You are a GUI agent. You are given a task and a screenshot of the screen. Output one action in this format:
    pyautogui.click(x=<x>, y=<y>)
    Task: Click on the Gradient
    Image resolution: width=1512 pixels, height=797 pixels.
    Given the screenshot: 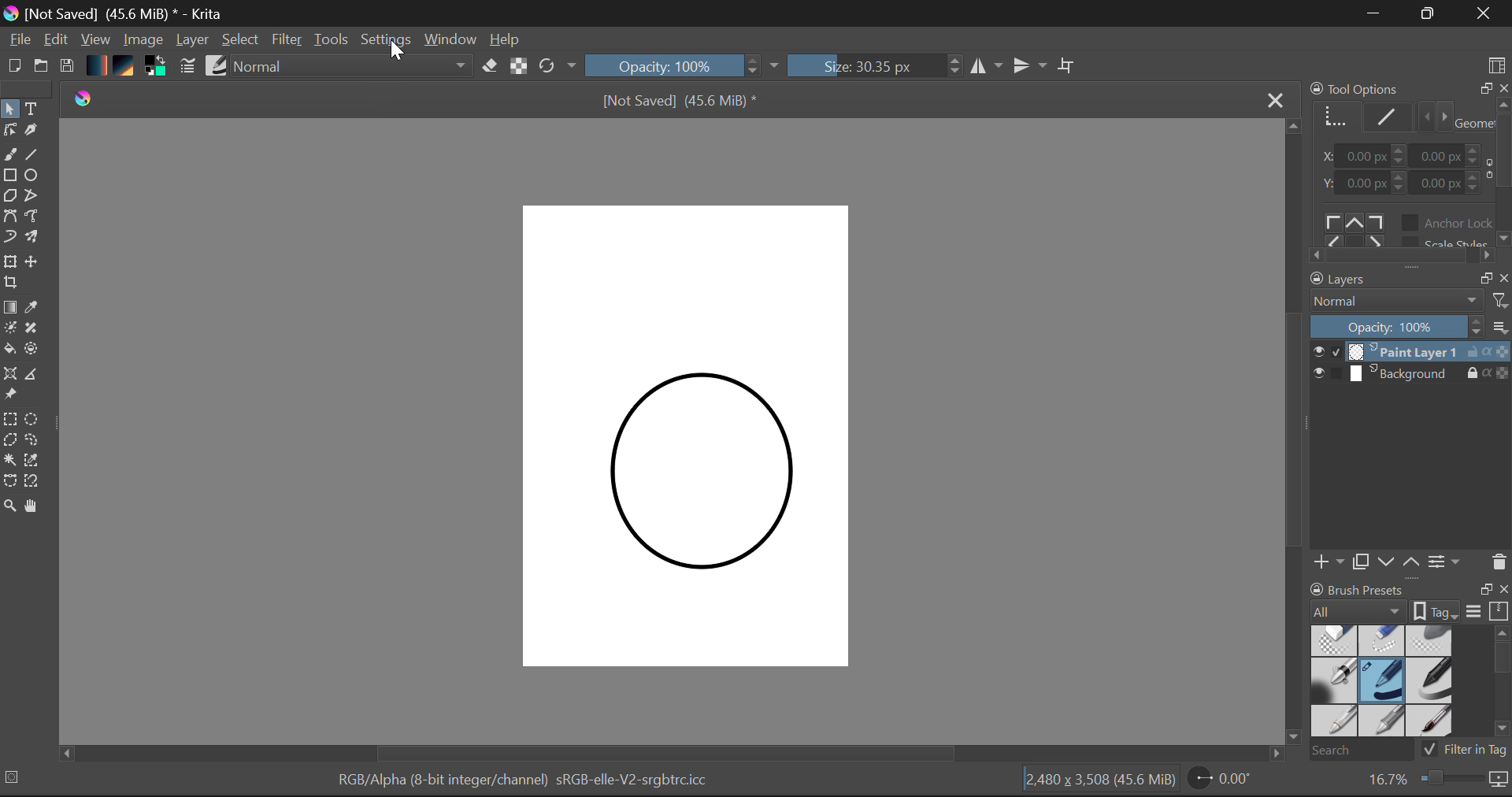 What is the action you would take?
    pyautogui.click(x=98, y=65)
    